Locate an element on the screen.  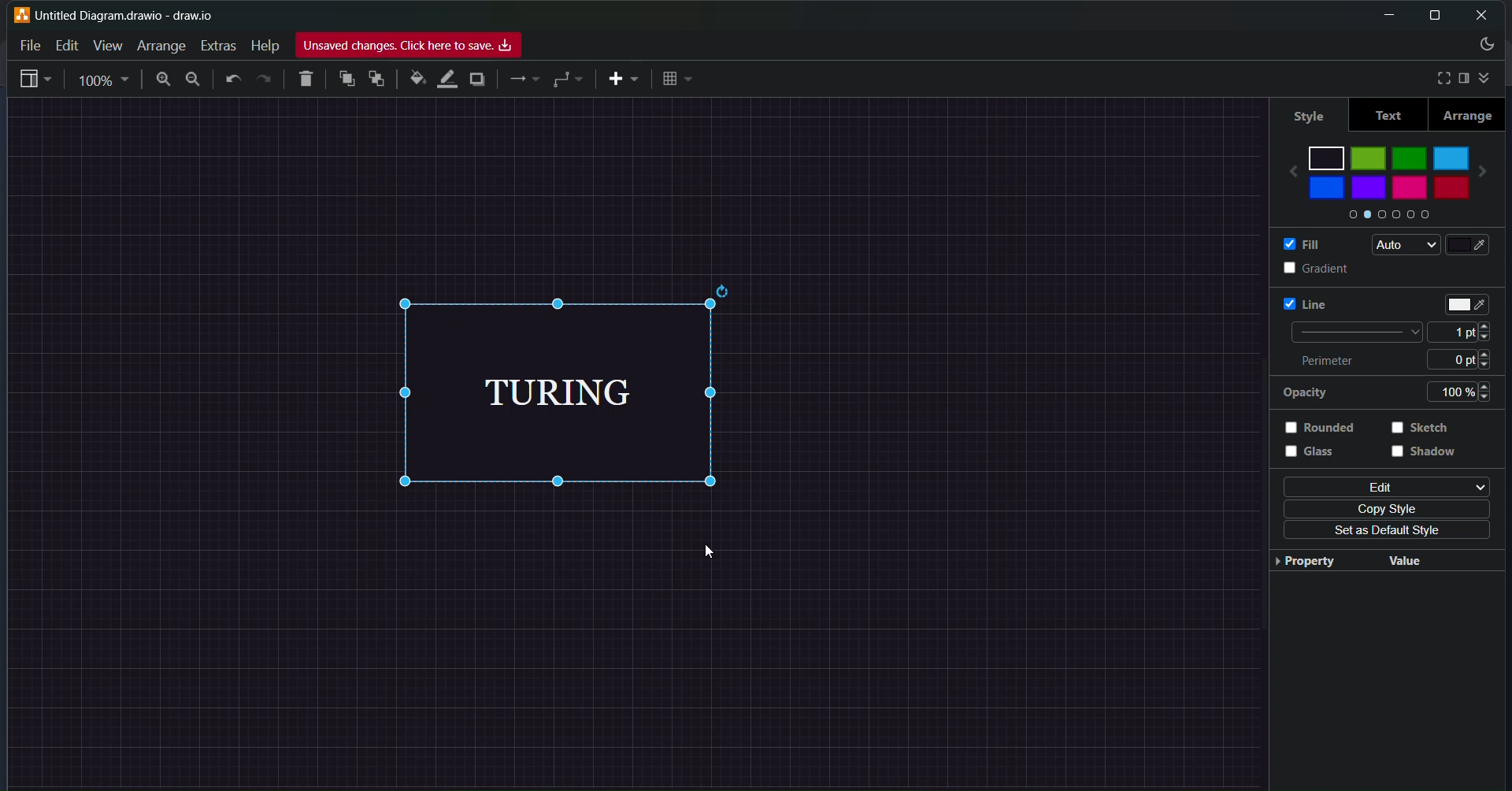
to front is located at coordinates (346, 78).